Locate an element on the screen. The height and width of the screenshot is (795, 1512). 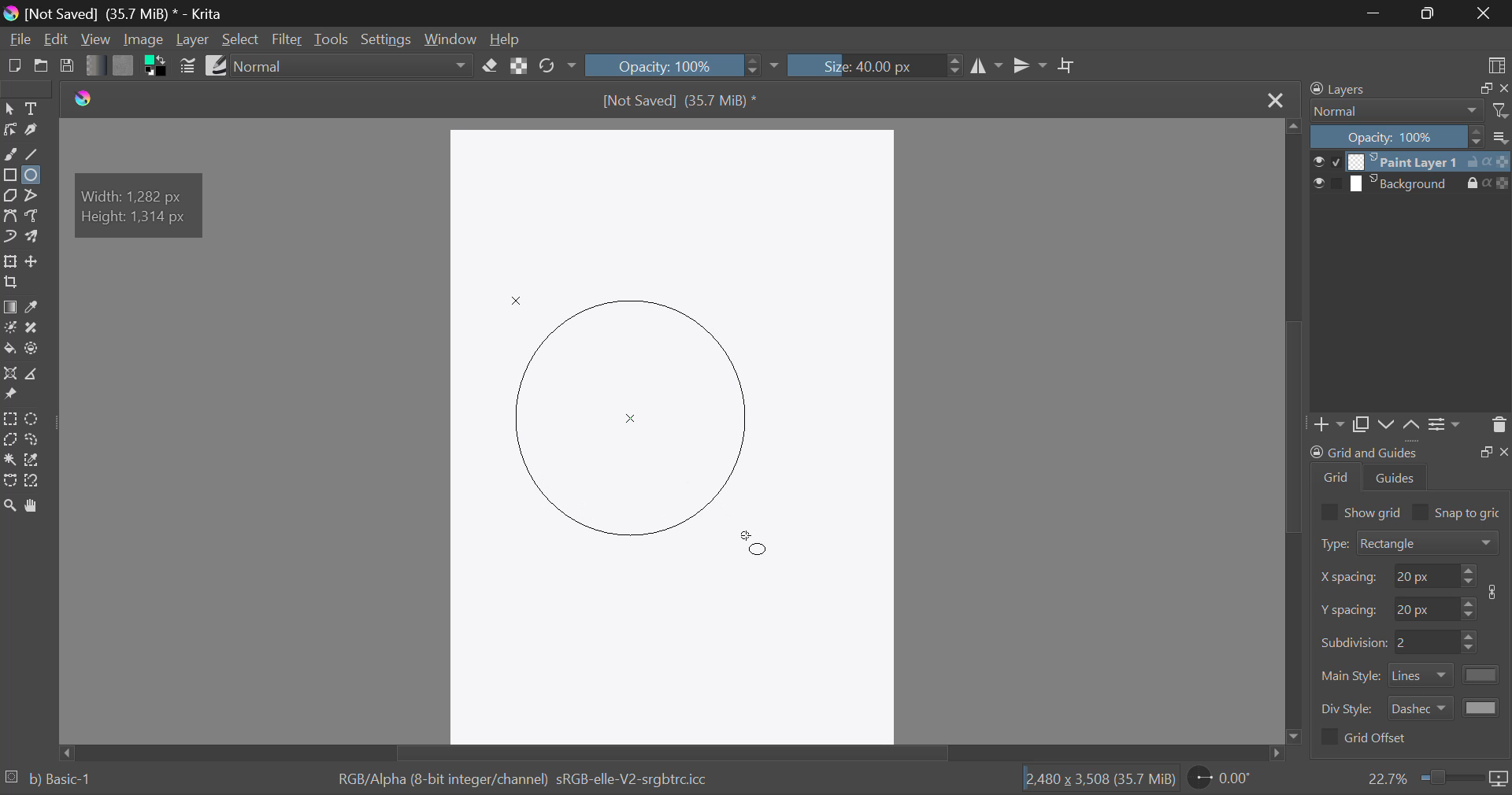
Polygon Selection is located at coordinates (9, 441).